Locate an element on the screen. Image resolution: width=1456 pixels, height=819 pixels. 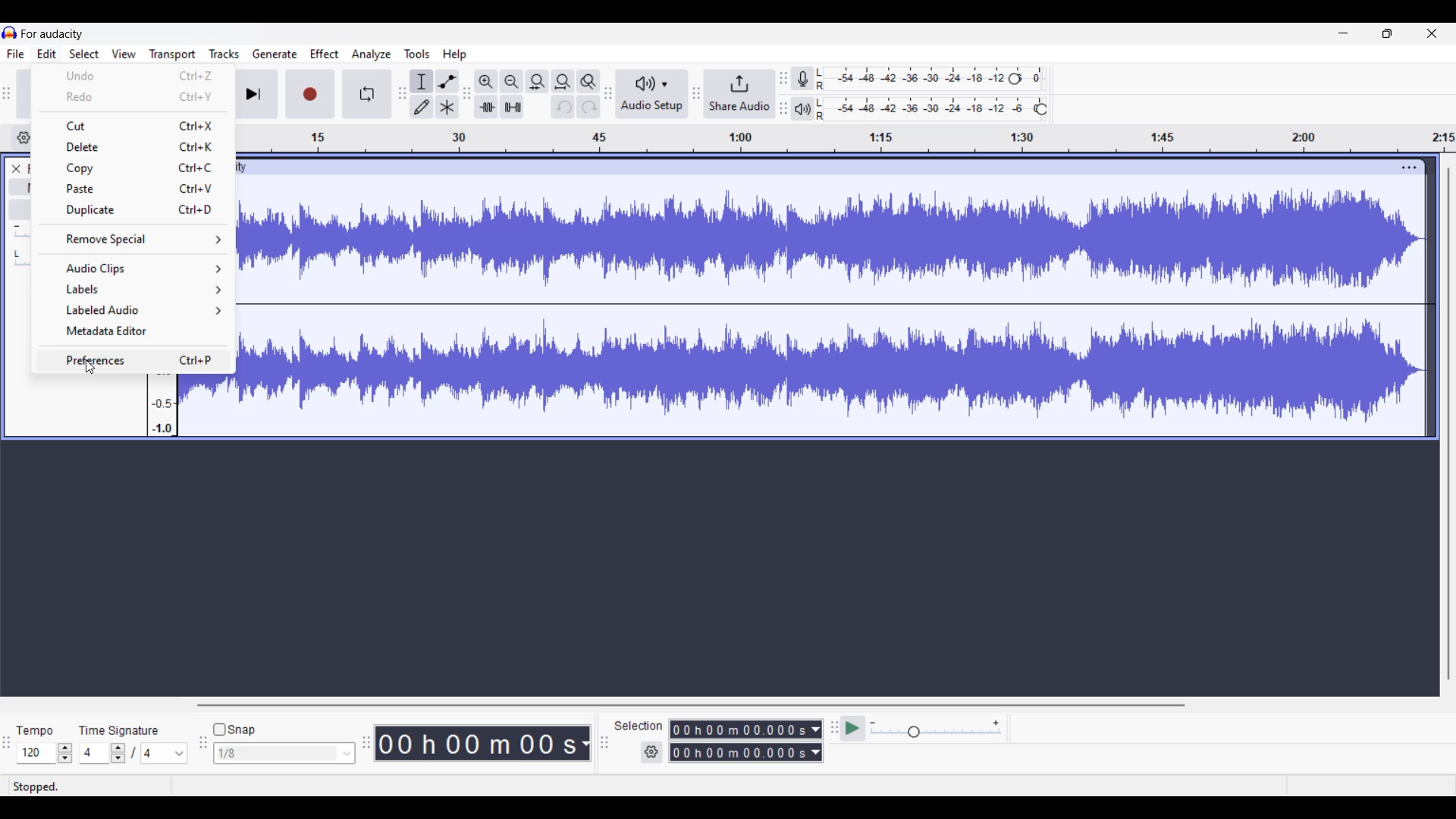
Draw tool is located at coordinates (422, 107).